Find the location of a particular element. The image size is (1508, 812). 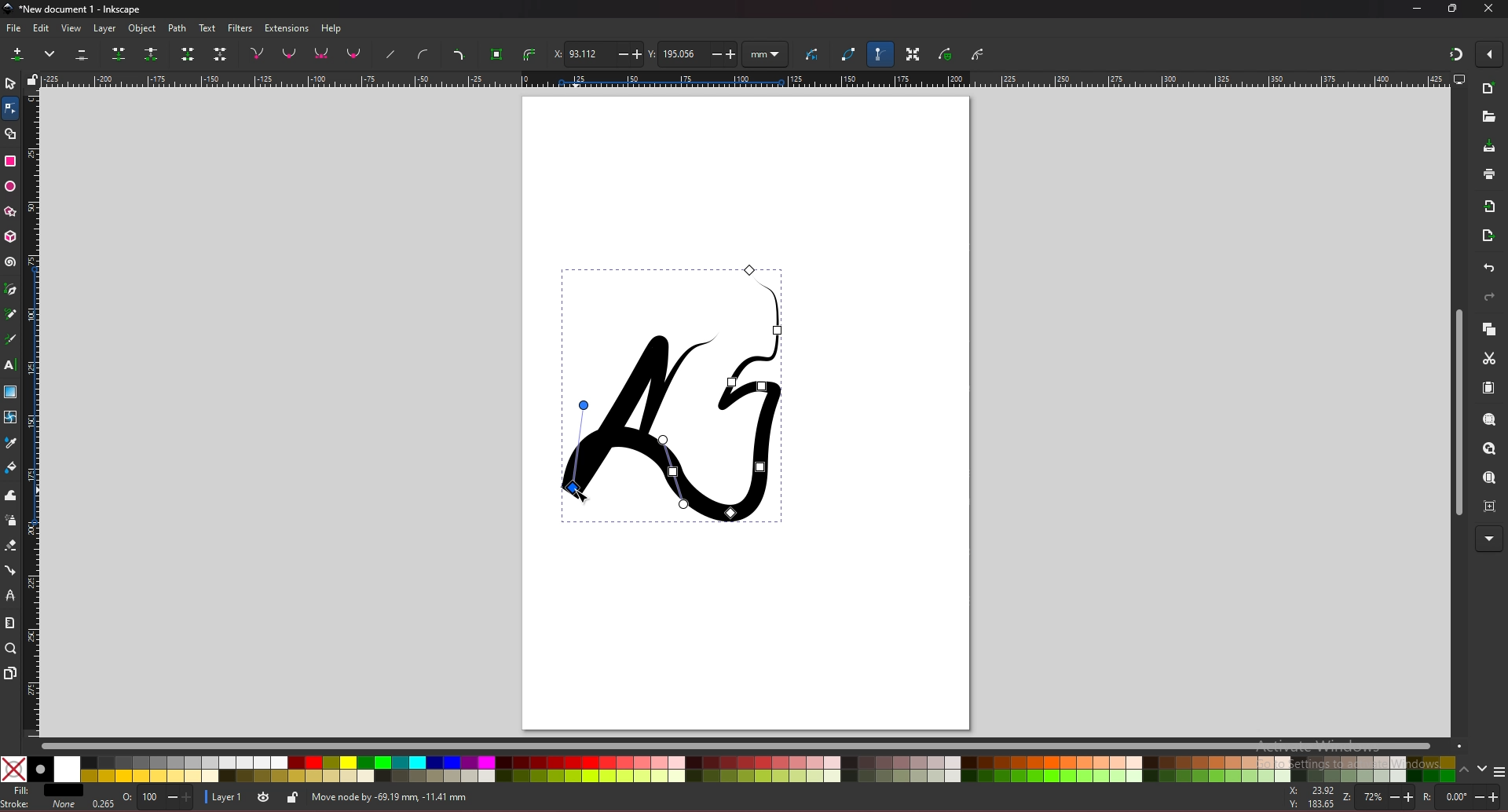

layer is located at coordinates (225, 797).